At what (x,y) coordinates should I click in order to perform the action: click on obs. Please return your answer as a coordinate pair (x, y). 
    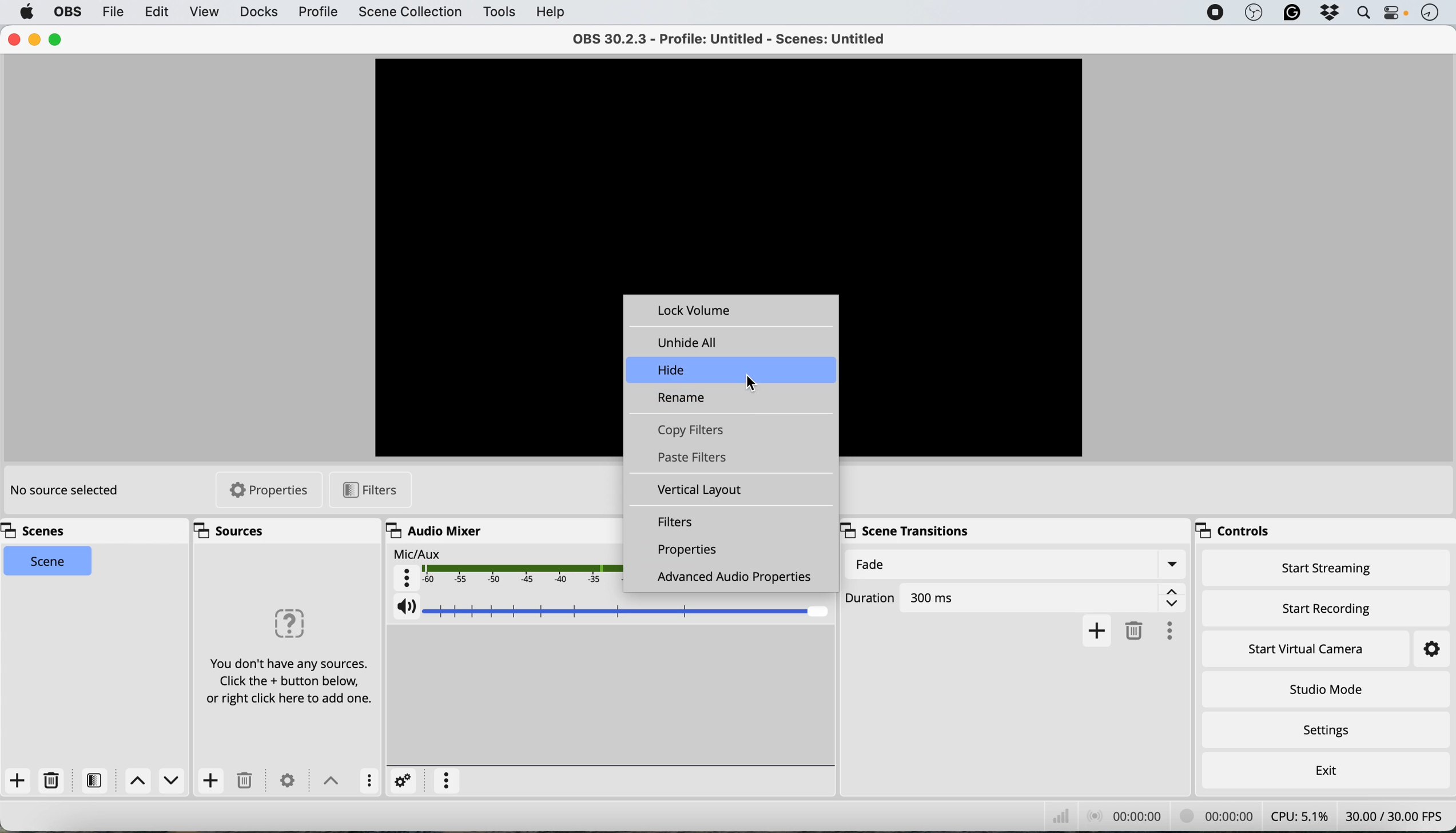
    Looking at the image, I should click on (1252, 12).